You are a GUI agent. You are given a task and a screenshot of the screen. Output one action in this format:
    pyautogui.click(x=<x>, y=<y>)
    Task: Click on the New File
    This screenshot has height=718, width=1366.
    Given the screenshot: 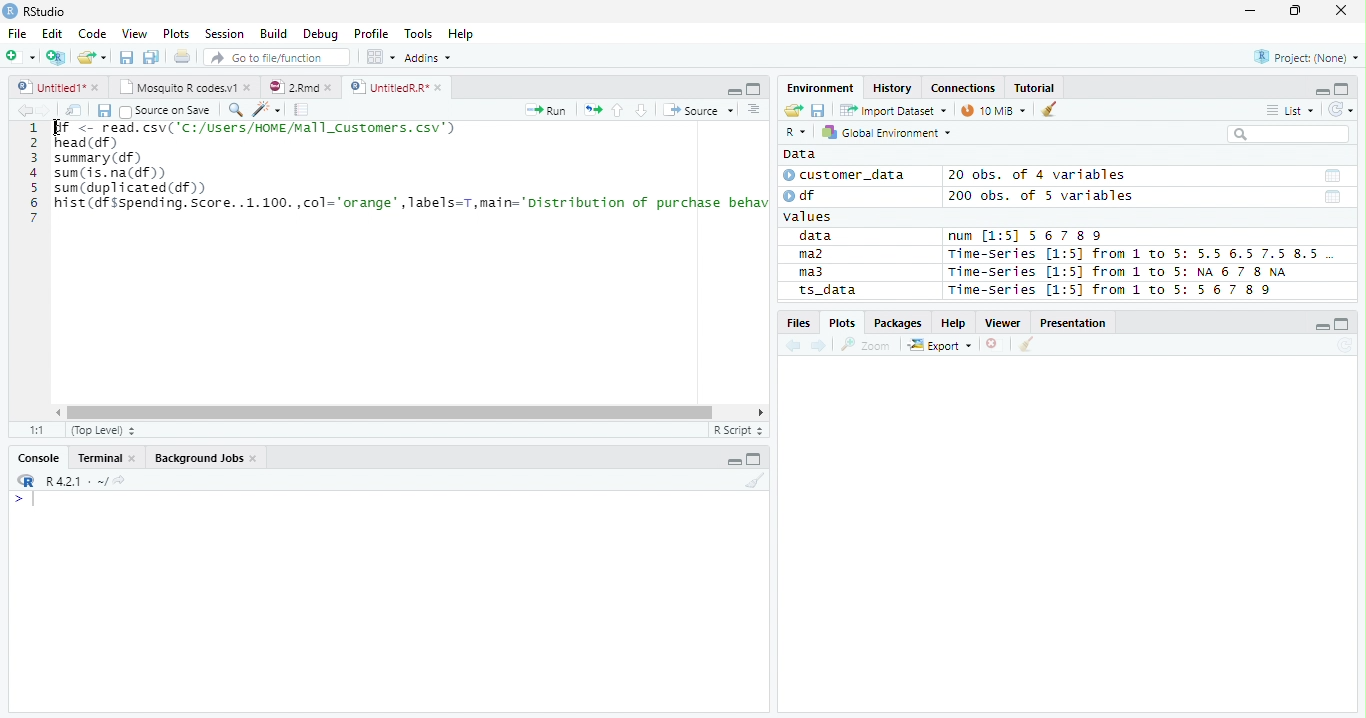 What is the action you would take?
    pyautogui.click(x=21, y=56)
    